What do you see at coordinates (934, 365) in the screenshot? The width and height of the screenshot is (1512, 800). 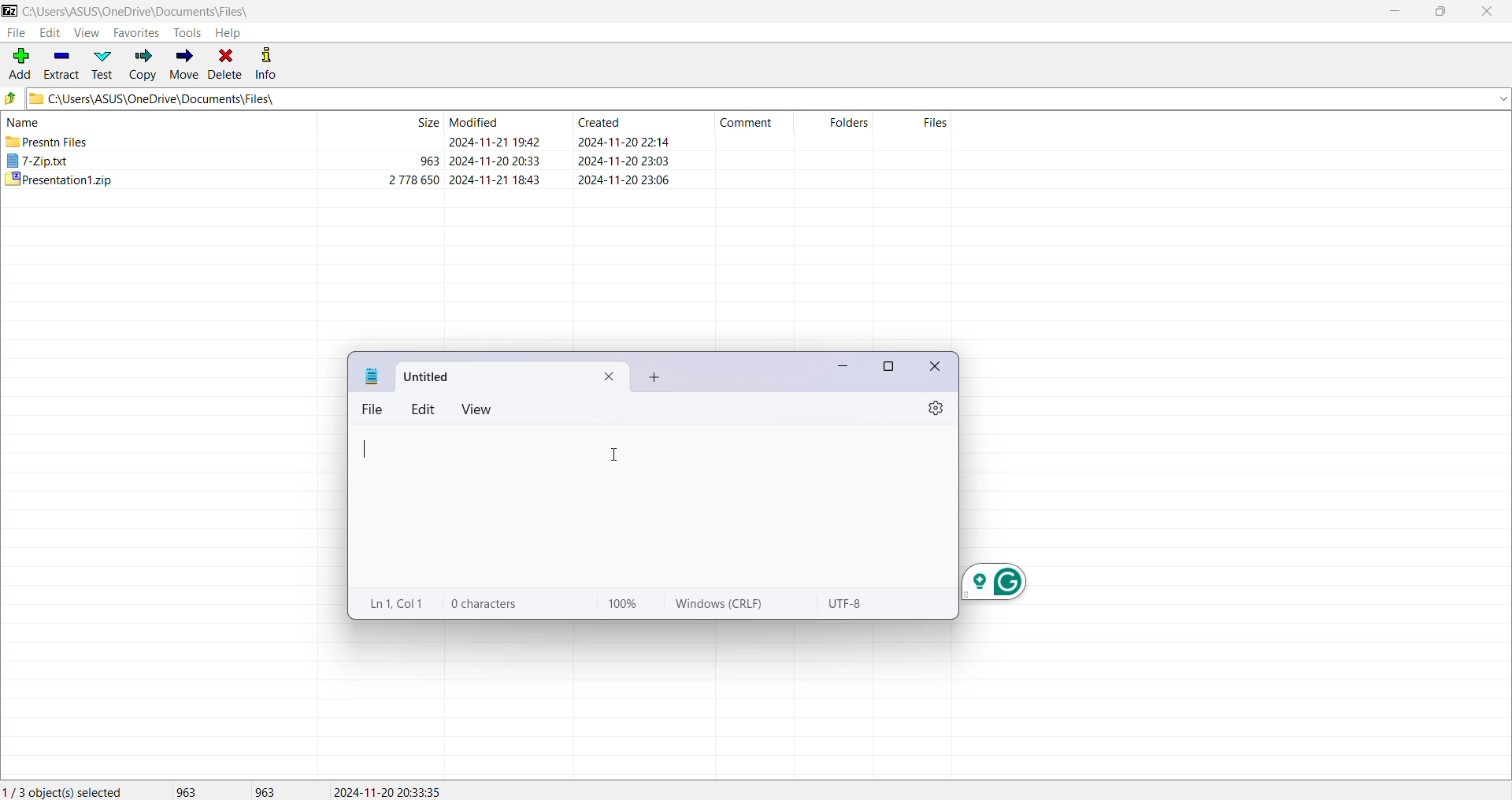 I see `close` at bounding box center [934, 365].